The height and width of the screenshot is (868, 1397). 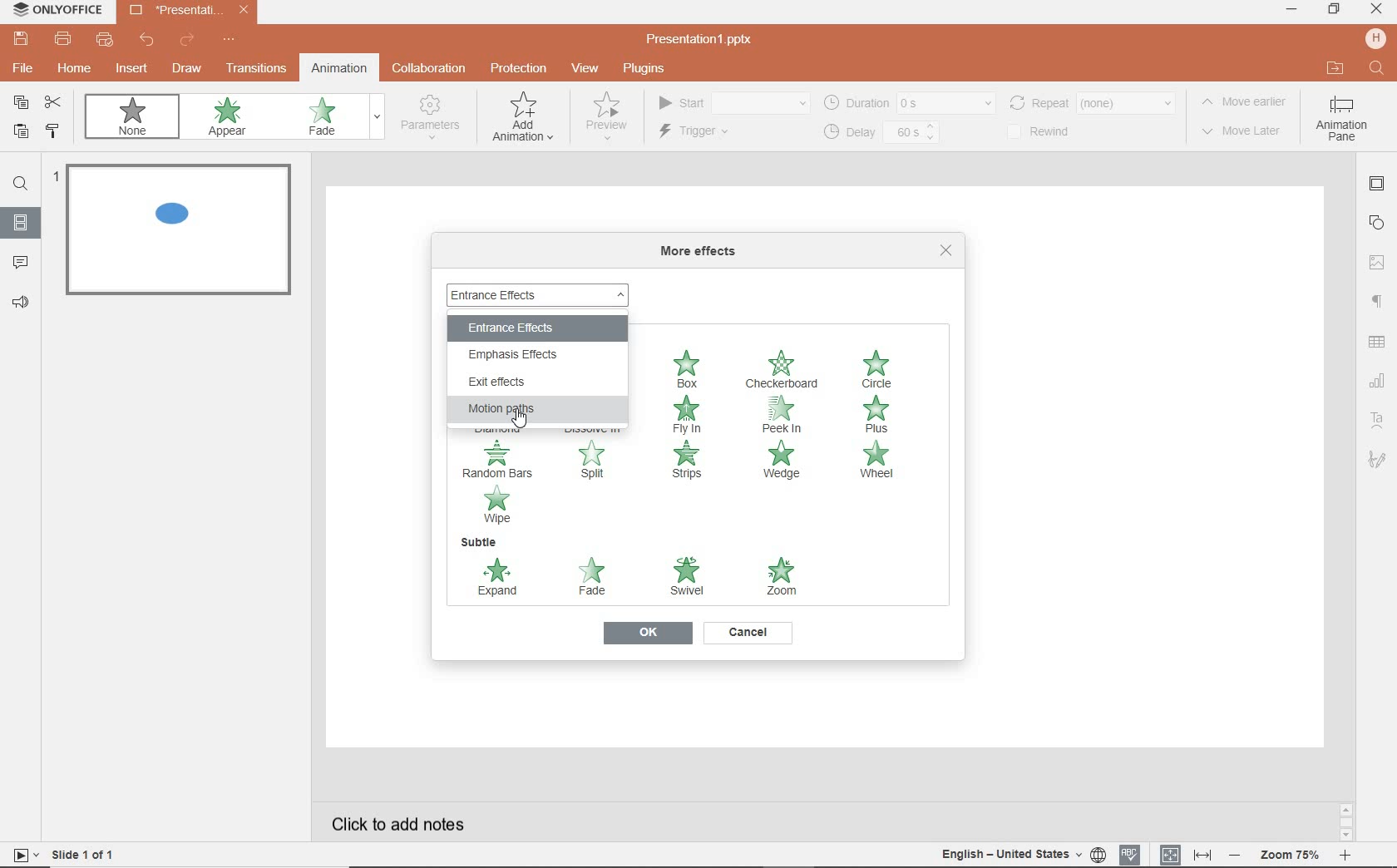 What do you see at coordinates (1291, 9) in the screenshot?
I see `MINIMIZE` at bounding box center [1291, 9].